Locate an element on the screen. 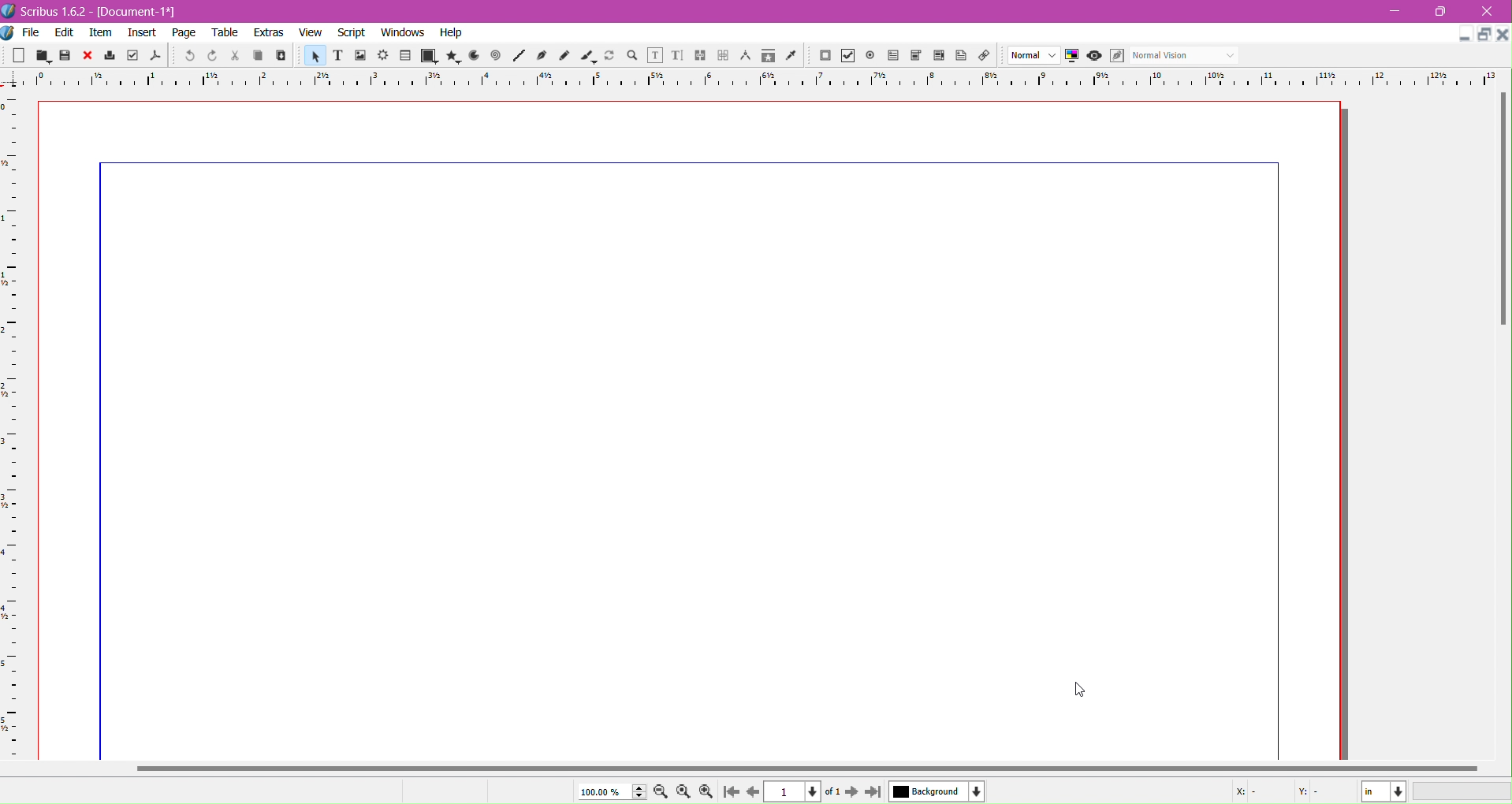 This screenshot has height=804, width=1512. Scroll is located at coordinates (1500, 260).